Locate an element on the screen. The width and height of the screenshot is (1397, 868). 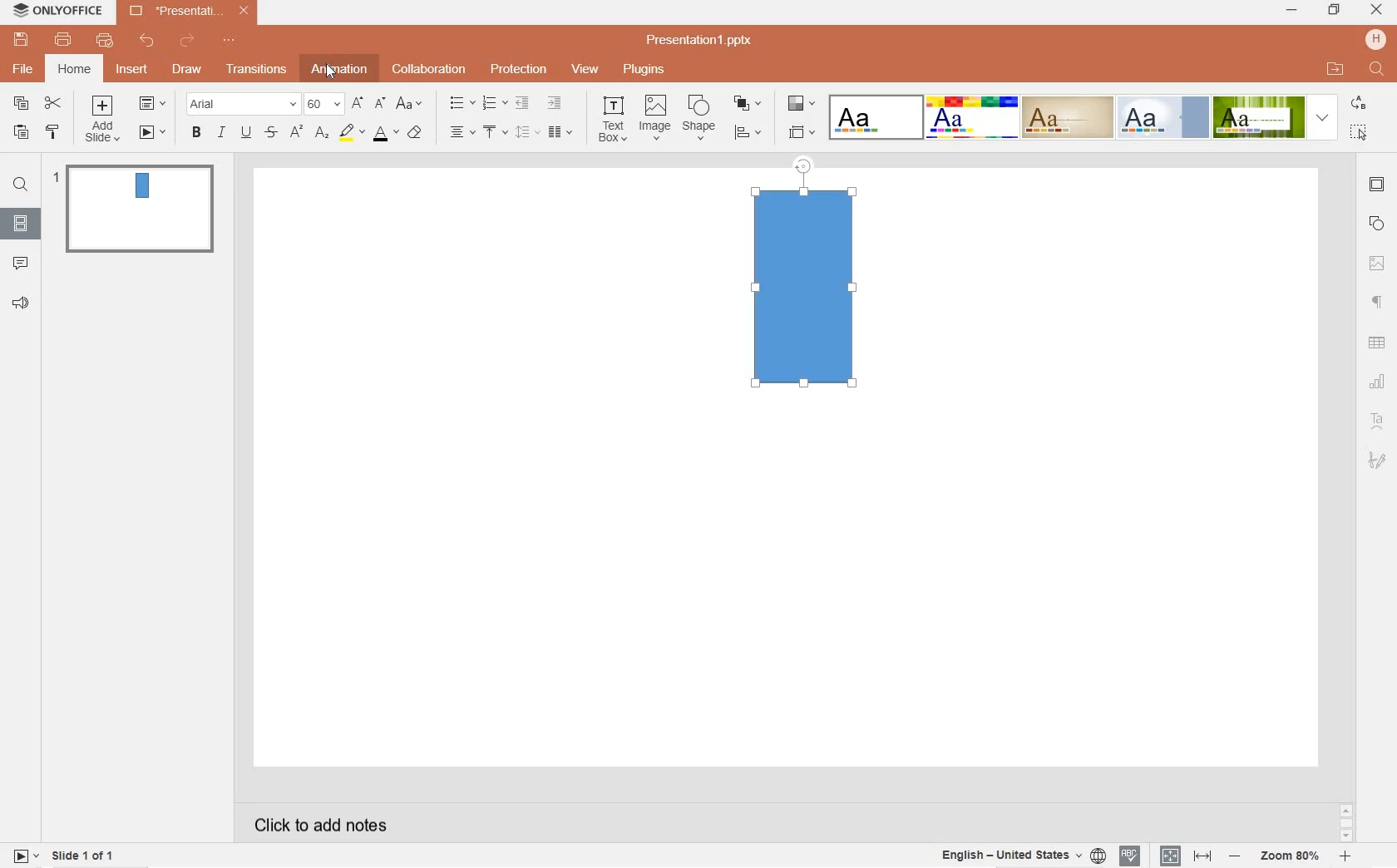
select slide size is located at coordinates (800, 133).